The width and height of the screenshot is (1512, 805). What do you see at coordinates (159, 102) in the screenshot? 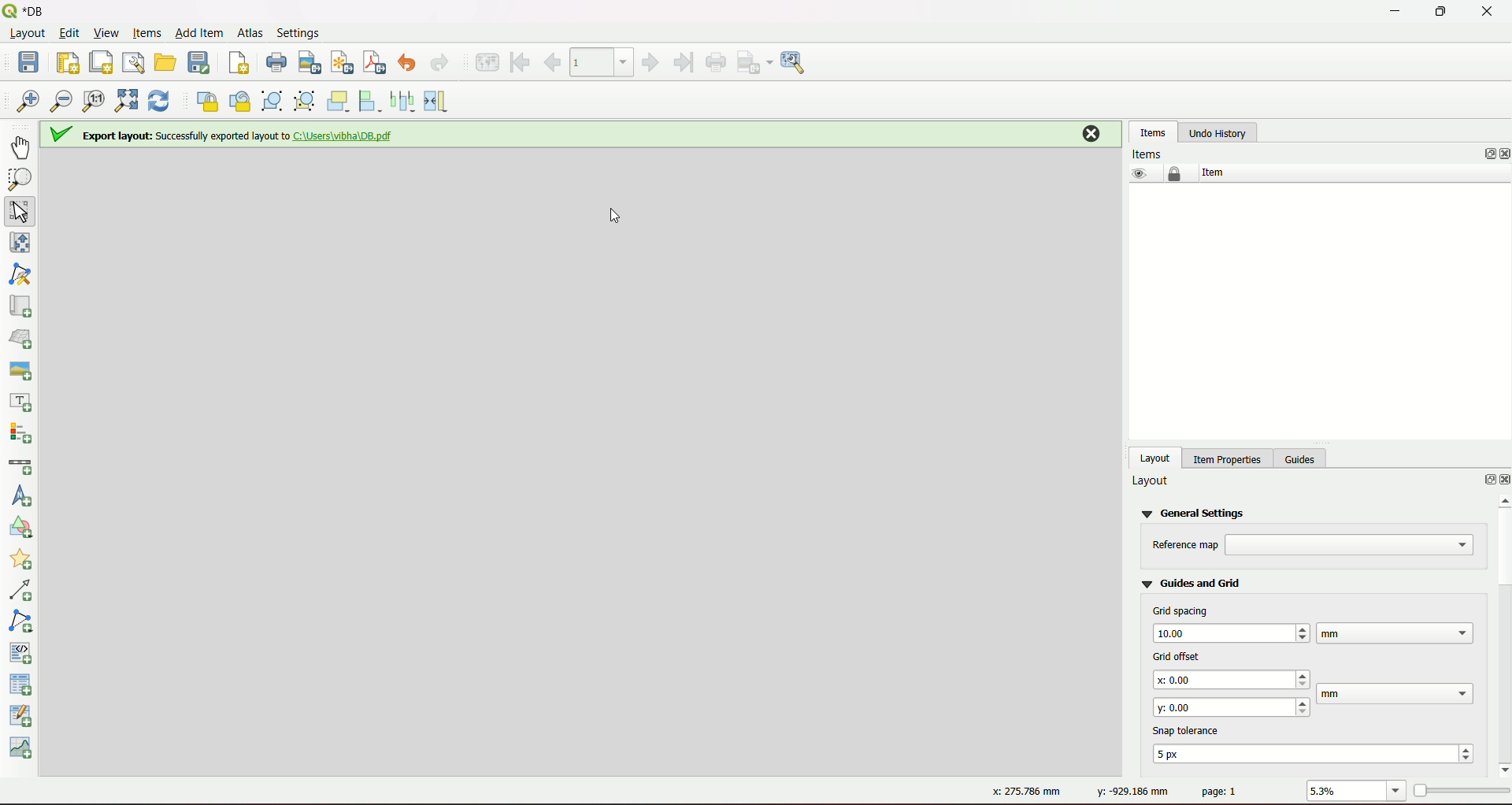
I see `refresh view` at bounding box center [159, 102].